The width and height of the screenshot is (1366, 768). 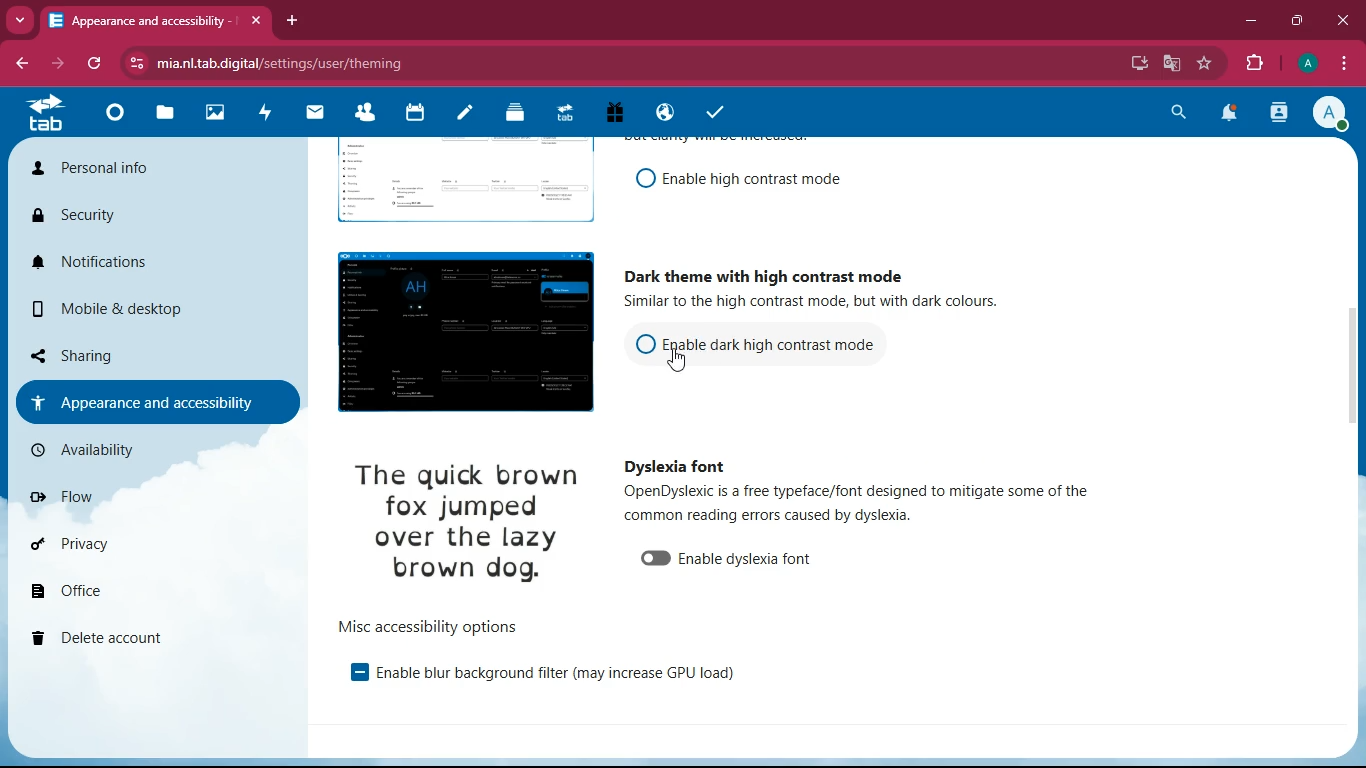 What do you see at coordinates (668, 114) in the screenshot?
I see `public` at bounding box center [668, 114].